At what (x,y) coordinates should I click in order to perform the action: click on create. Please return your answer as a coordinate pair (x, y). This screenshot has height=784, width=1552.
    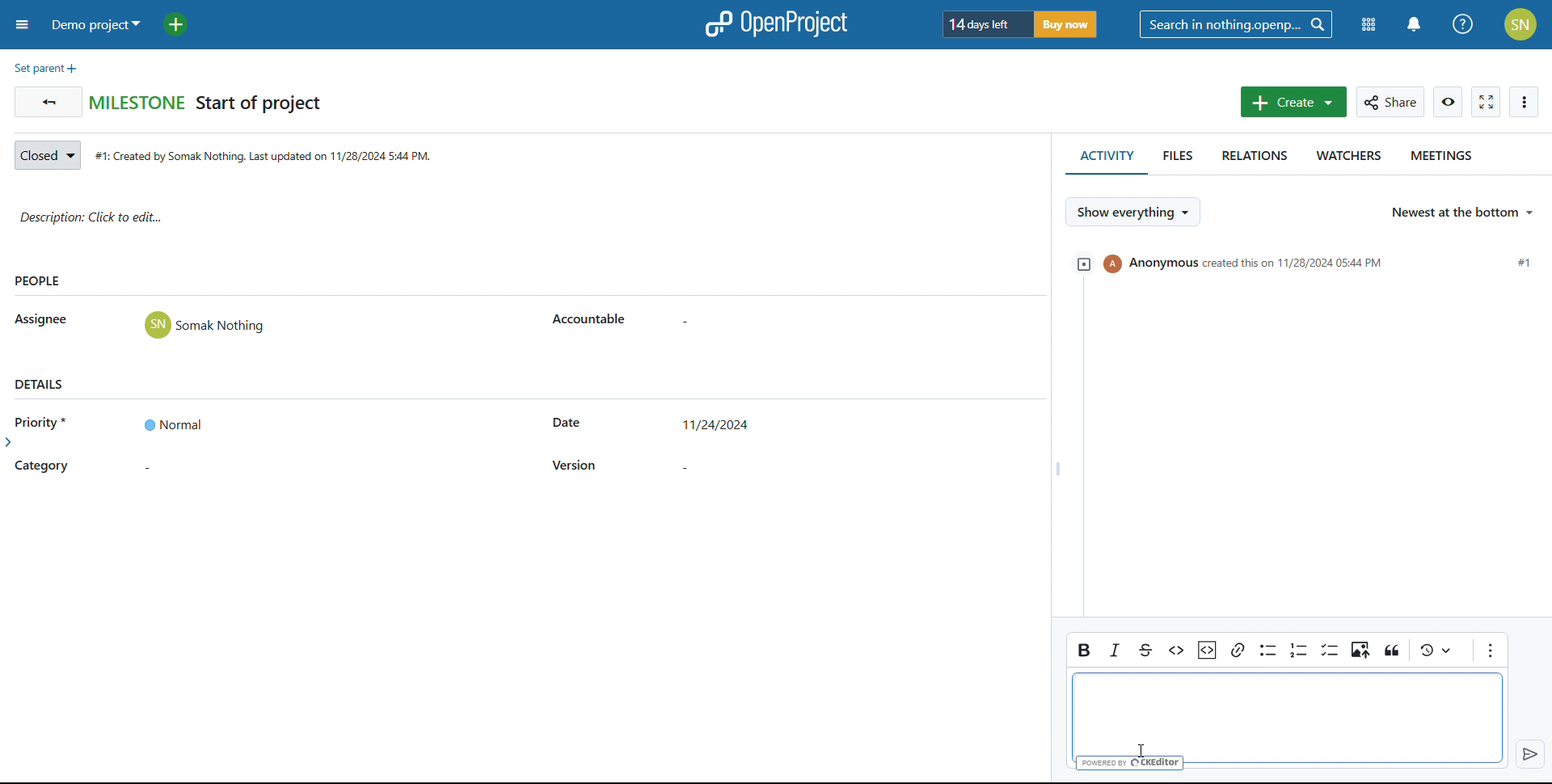
    Looking at the image, I should click on (1294, 101).